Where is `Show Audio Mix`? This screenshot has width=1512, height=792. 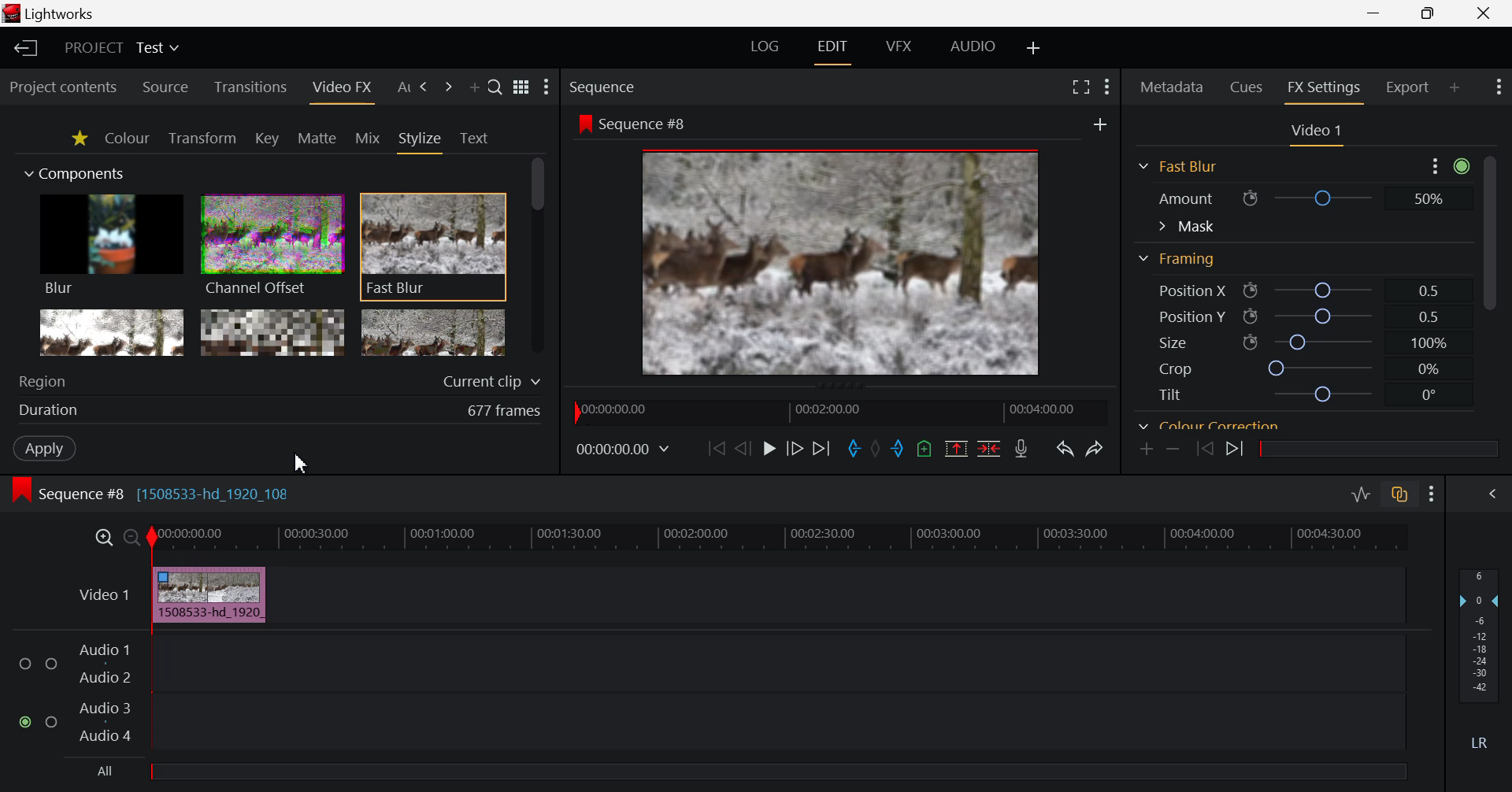
Show Audio Mix is located at coordinates (1492, 493).